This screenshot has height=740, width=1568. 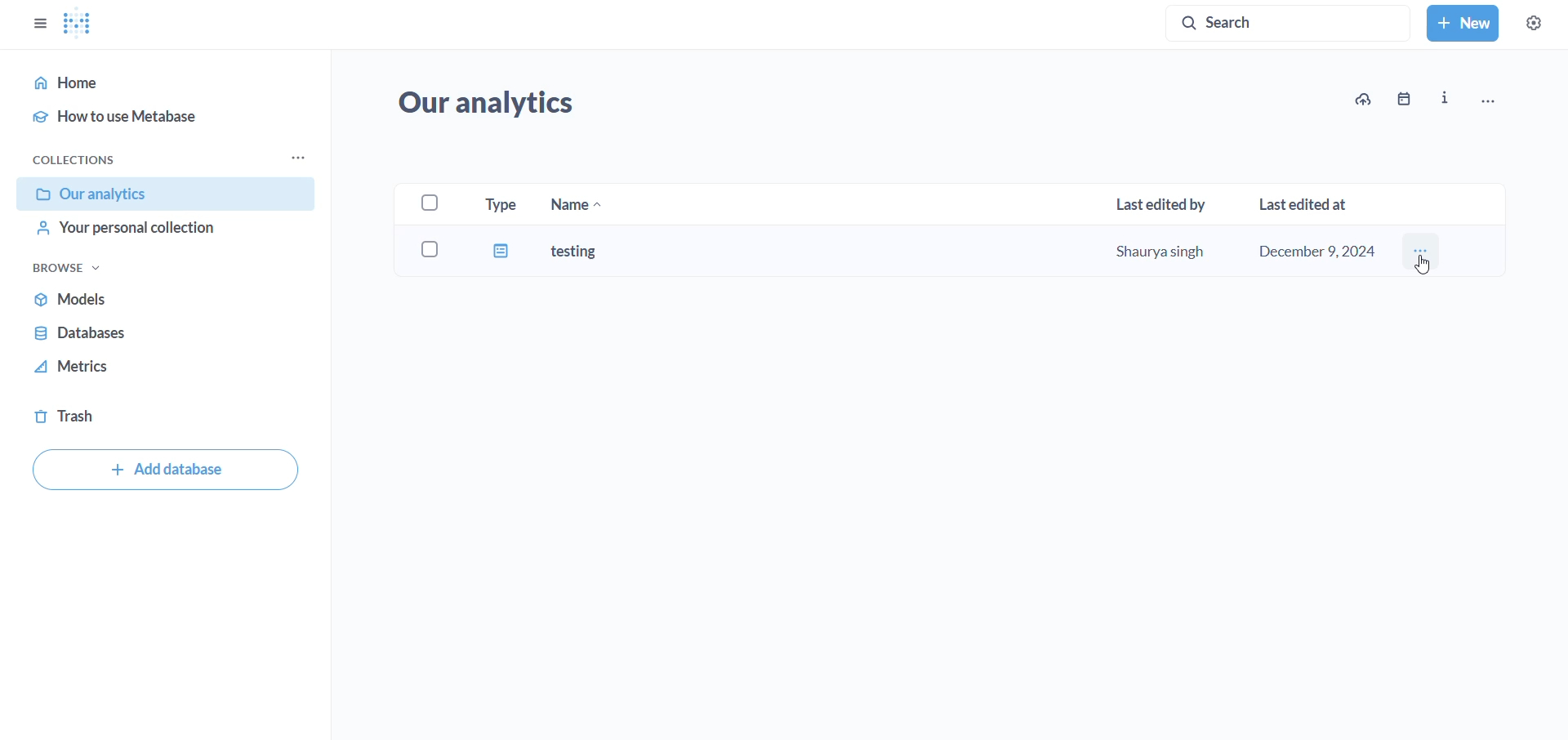 What do you see at coordinates (1407, 99) in the screenshot?
I see `date` at bounding box center [1407, 99].